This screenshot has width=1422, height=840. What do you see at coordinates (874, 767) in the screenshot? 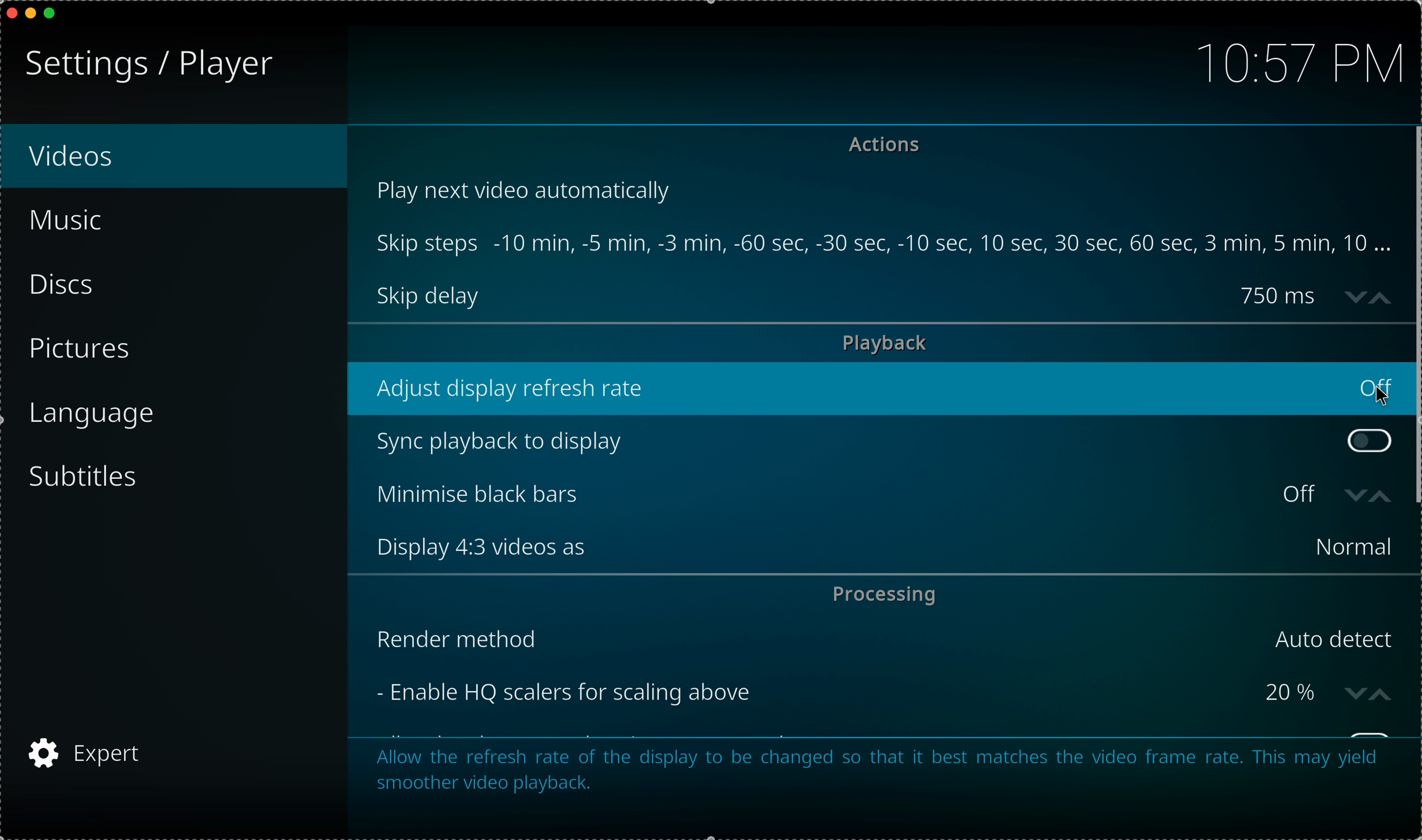
I see `Allow the refresh rate of the display to be changed so that it best matches the video frame rate. This may yield
smoother video playback.` at bounding box center [874, 767].